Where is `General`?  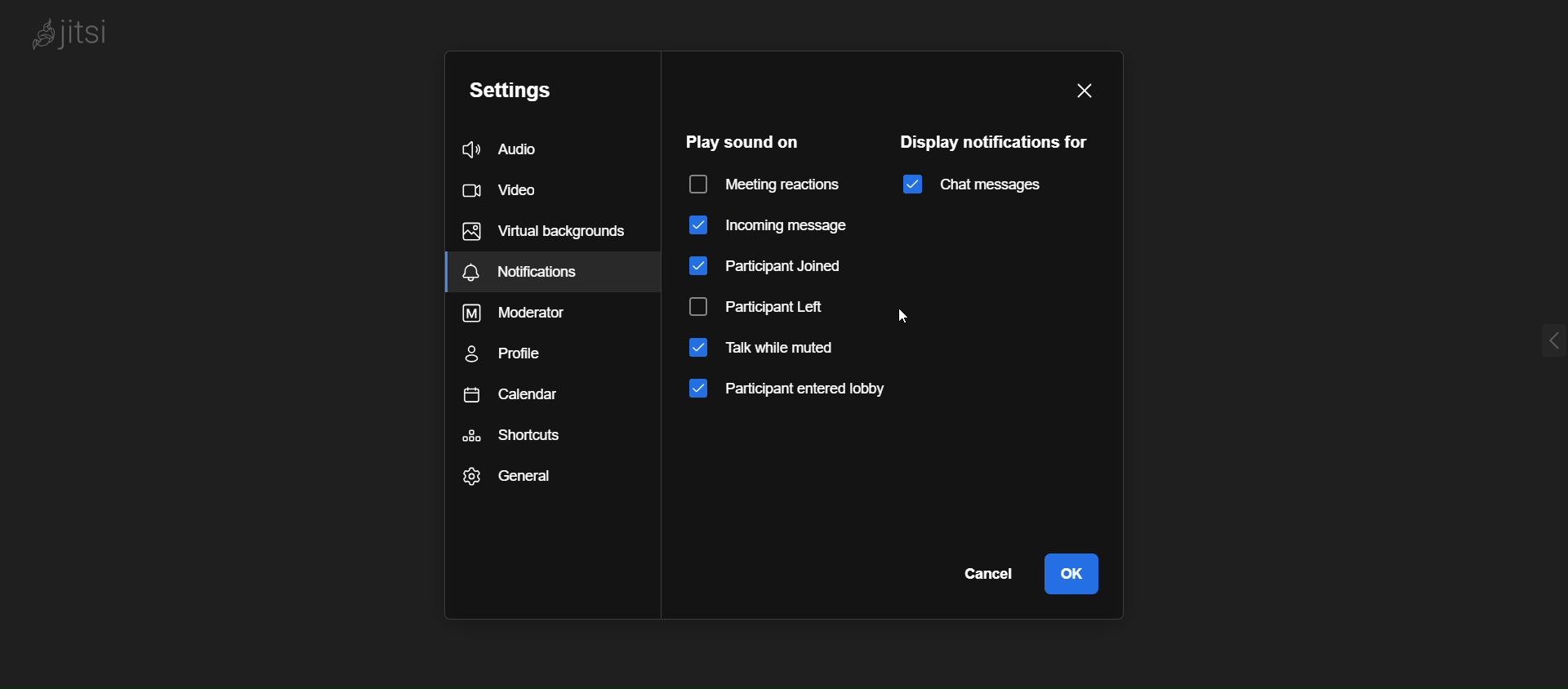 General is located at coordinates (529, 482).